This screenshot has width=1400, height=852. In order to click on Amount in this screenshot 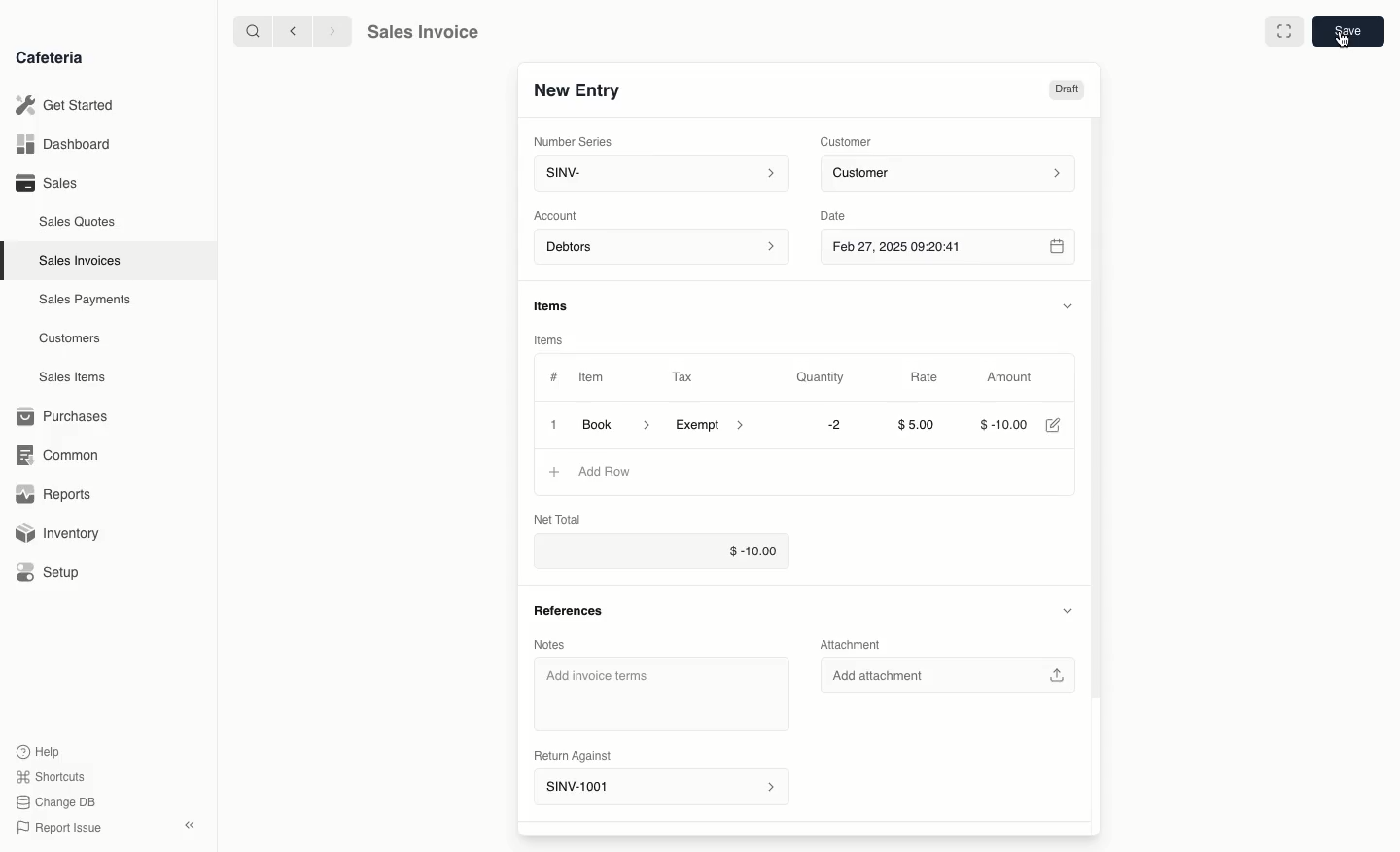, I will do `click(1019, 377)`.